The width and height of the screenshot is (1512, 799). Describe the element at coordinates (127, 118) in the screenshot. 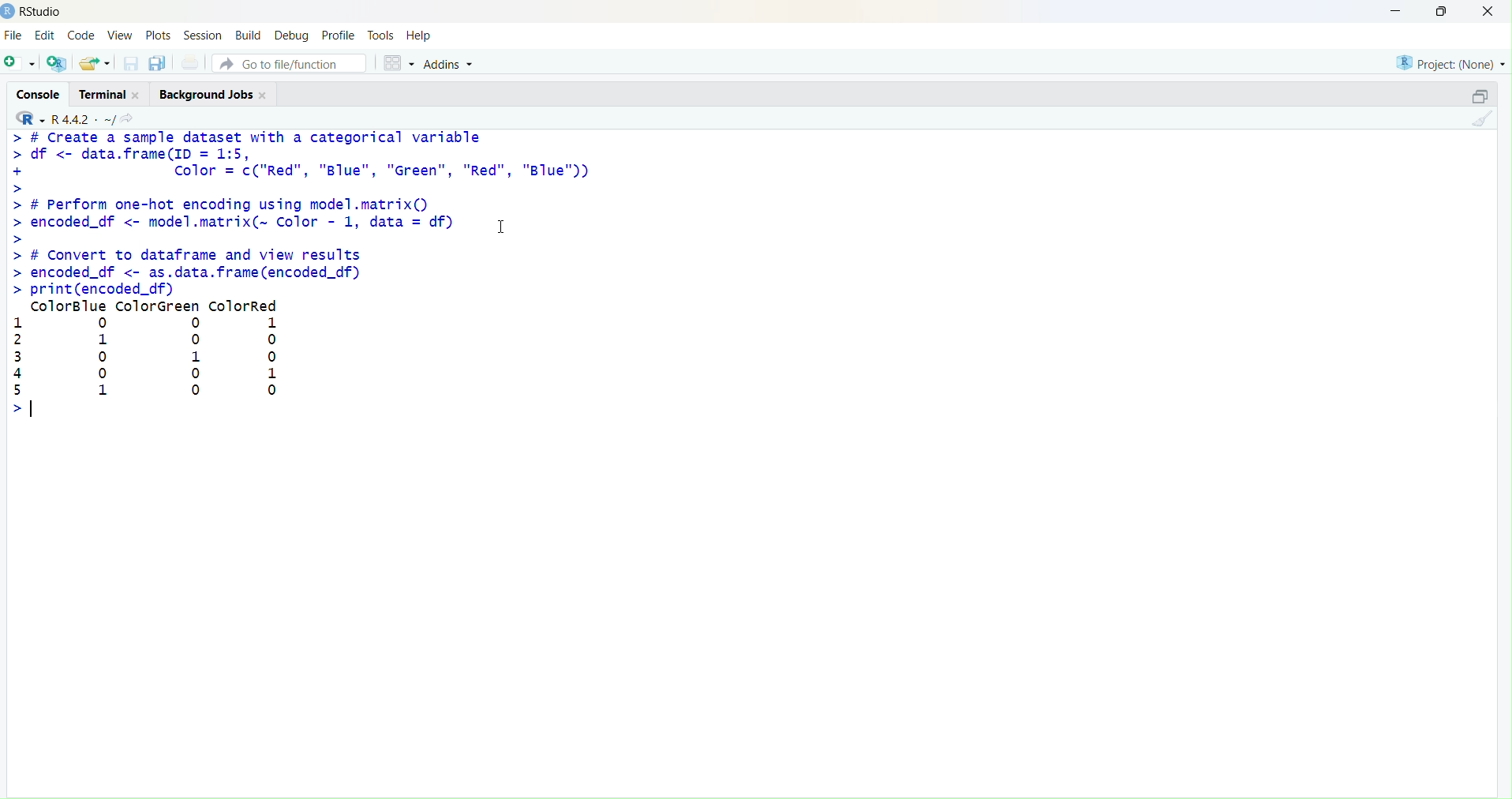

I see `share icon` at that location.